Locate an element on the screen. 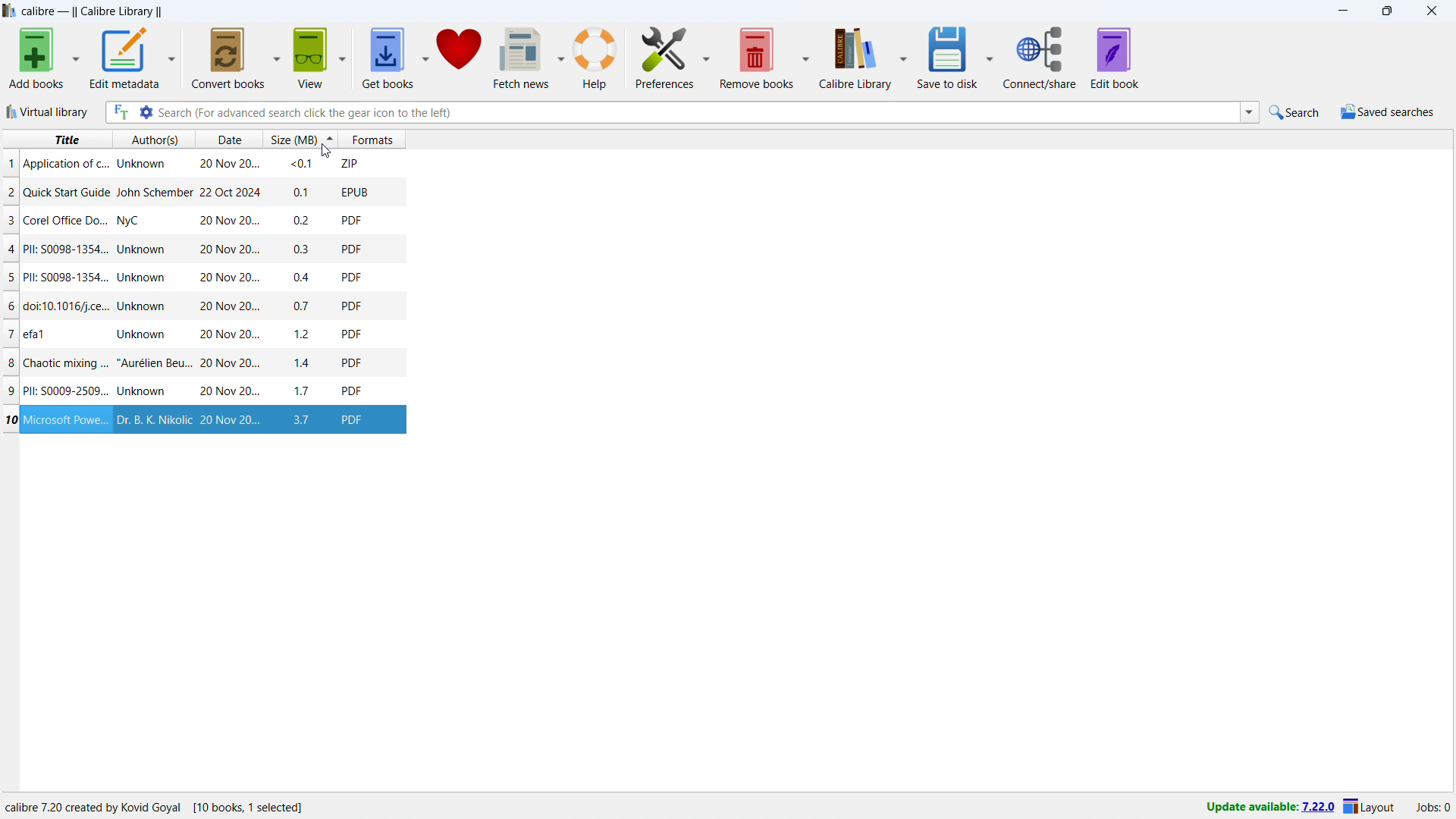 This screenshot has height=819, width=1456. title is located at coordinates (64, 362).